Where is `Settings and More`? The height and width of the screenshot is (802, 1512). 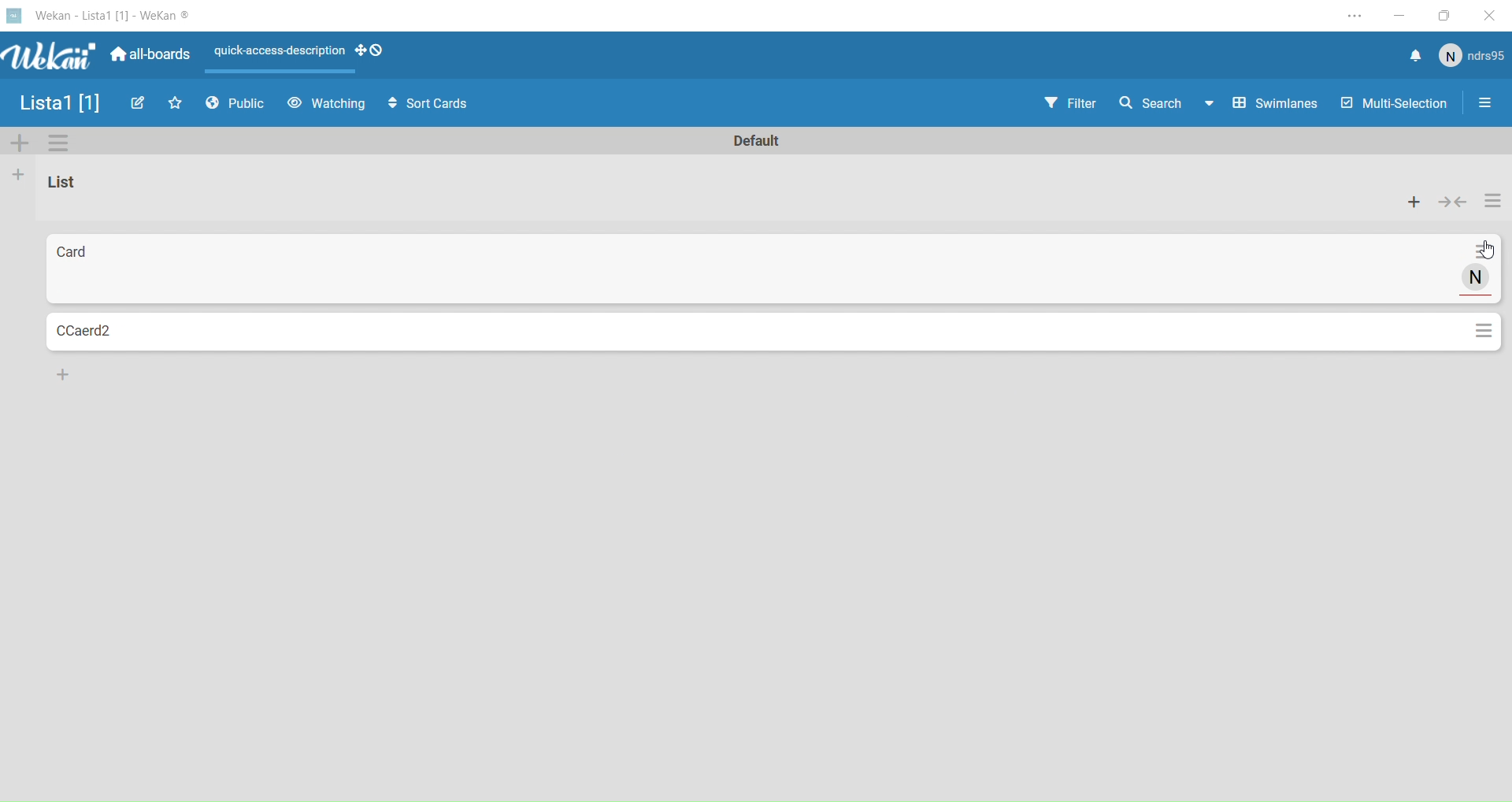
Settings and More is located at coordinates (1363, 16).